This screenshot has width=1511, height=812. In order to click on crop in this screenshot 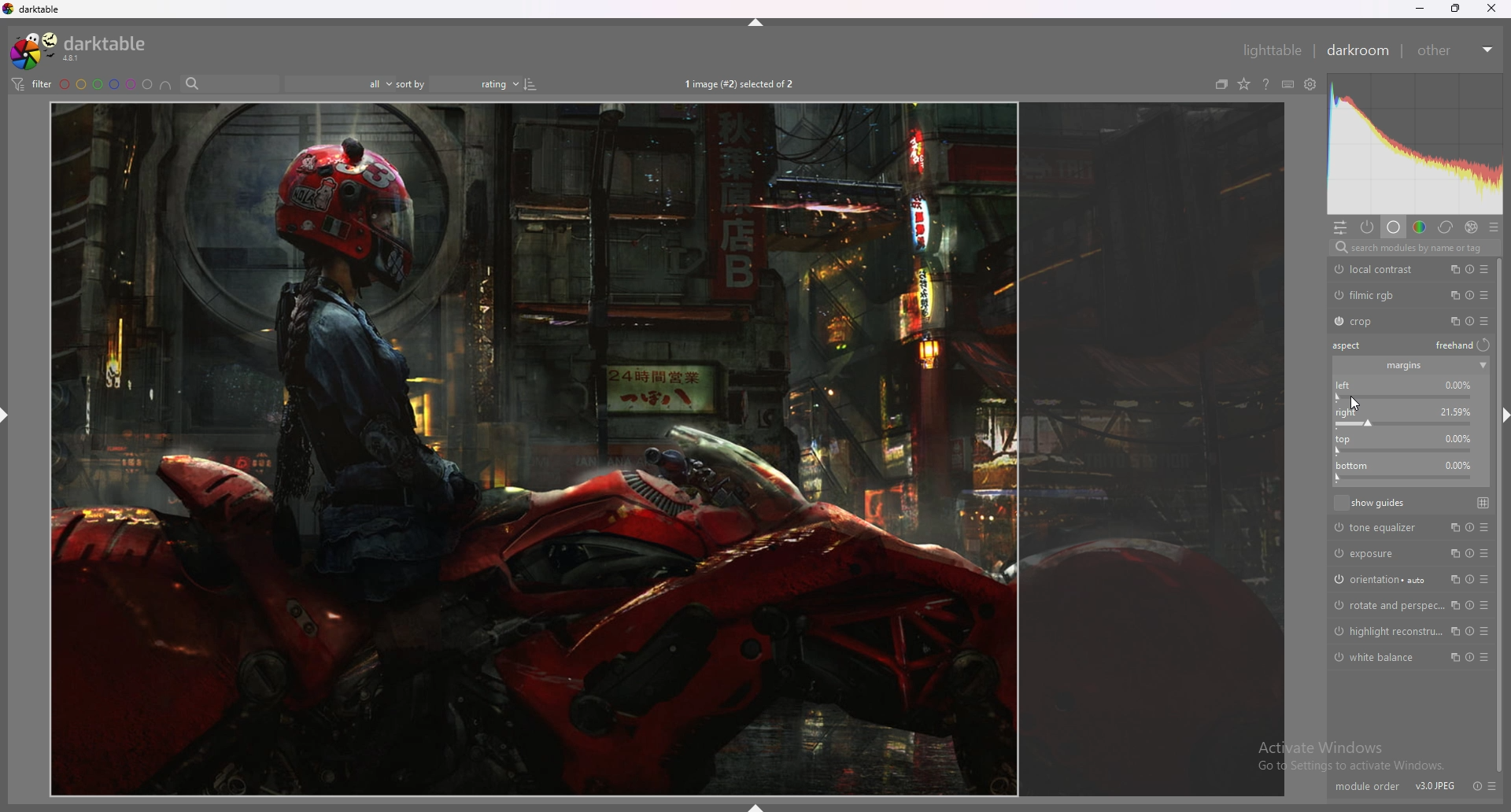, I will do `click(1379, 322)`.